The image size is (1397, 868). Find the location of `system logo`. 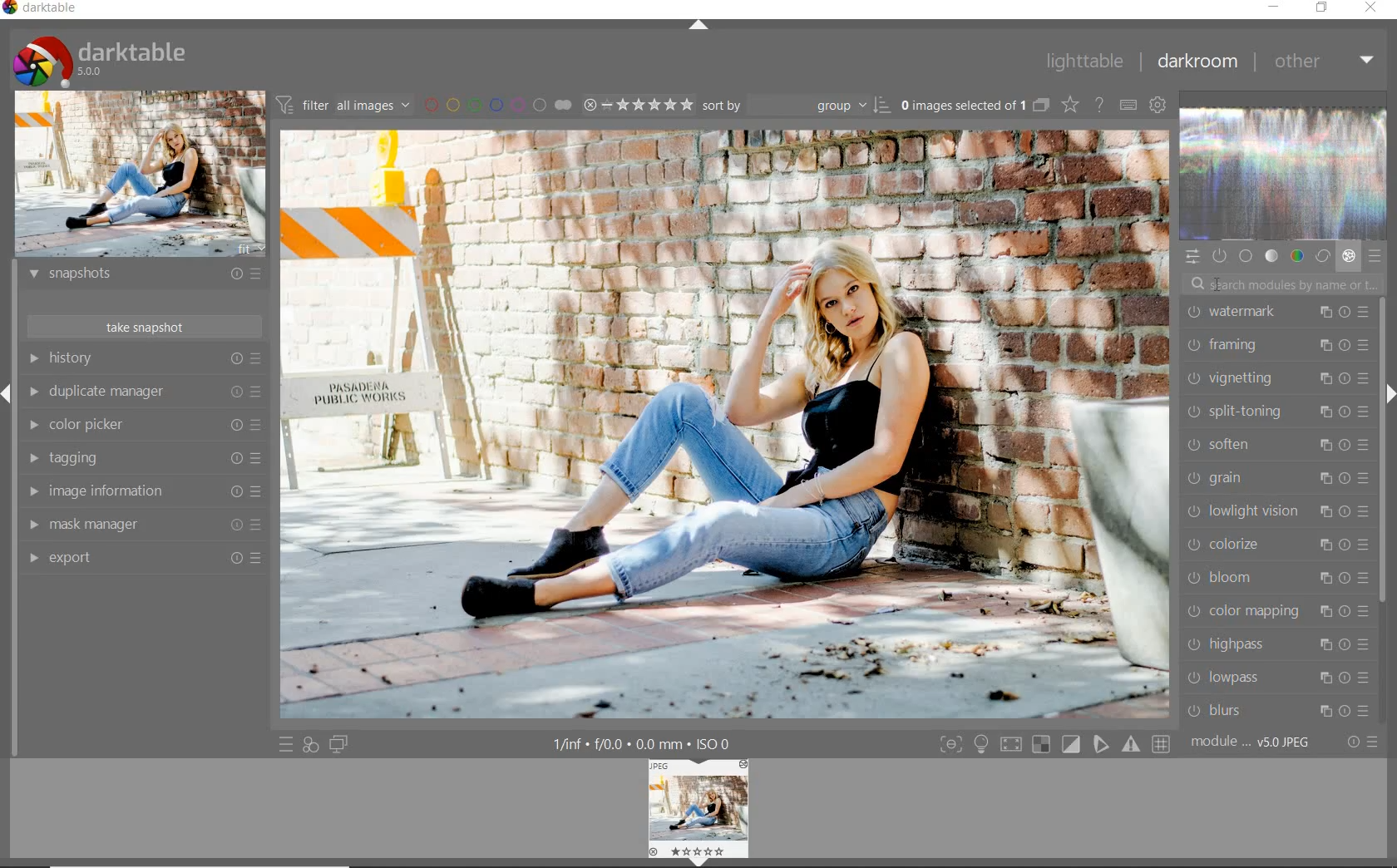

system logo is located at coordinates (101, 60).